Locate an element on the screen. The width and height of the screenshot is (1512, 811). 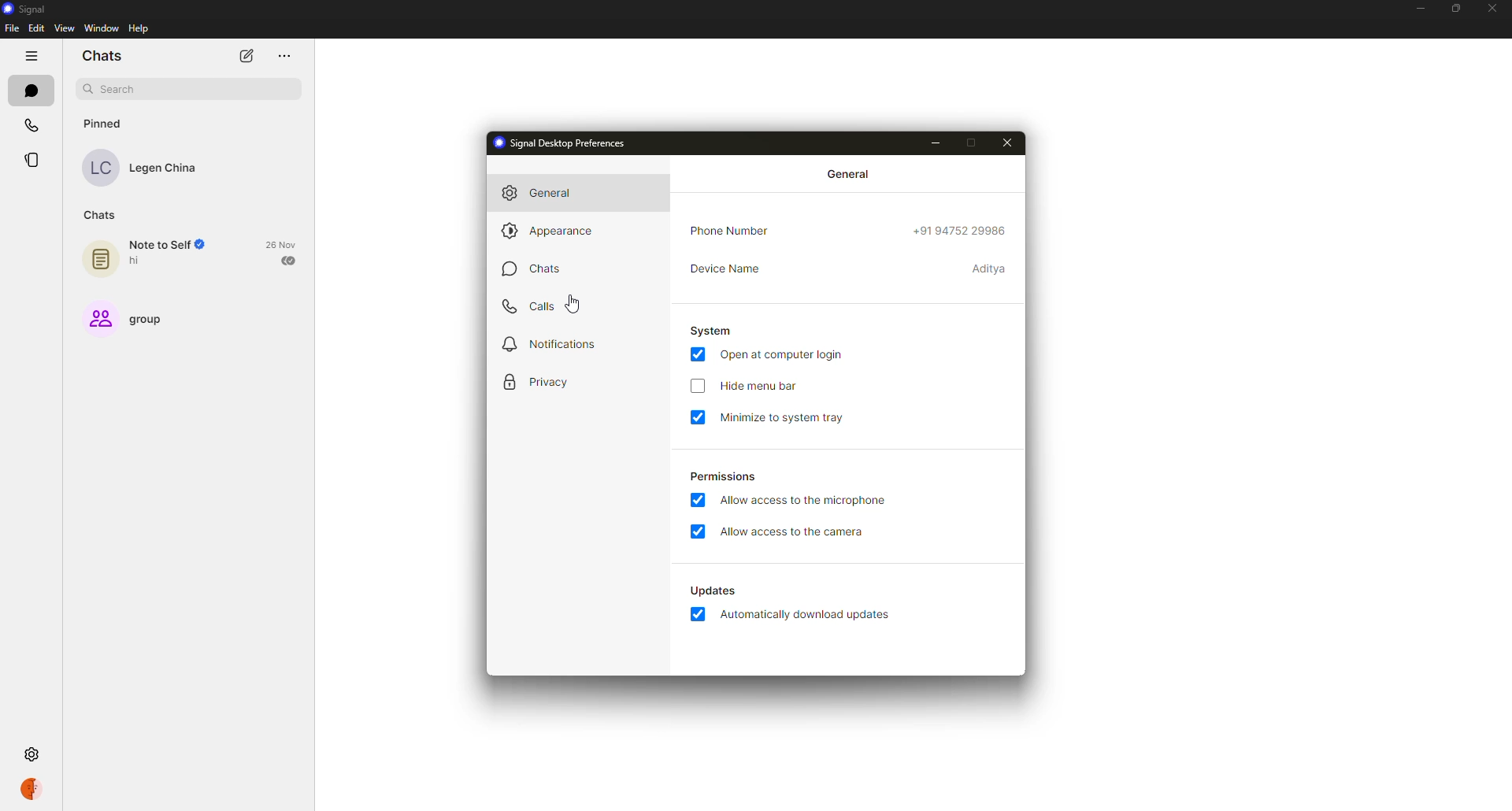
+91 94752 29986 is located at coordinates (960, 230).